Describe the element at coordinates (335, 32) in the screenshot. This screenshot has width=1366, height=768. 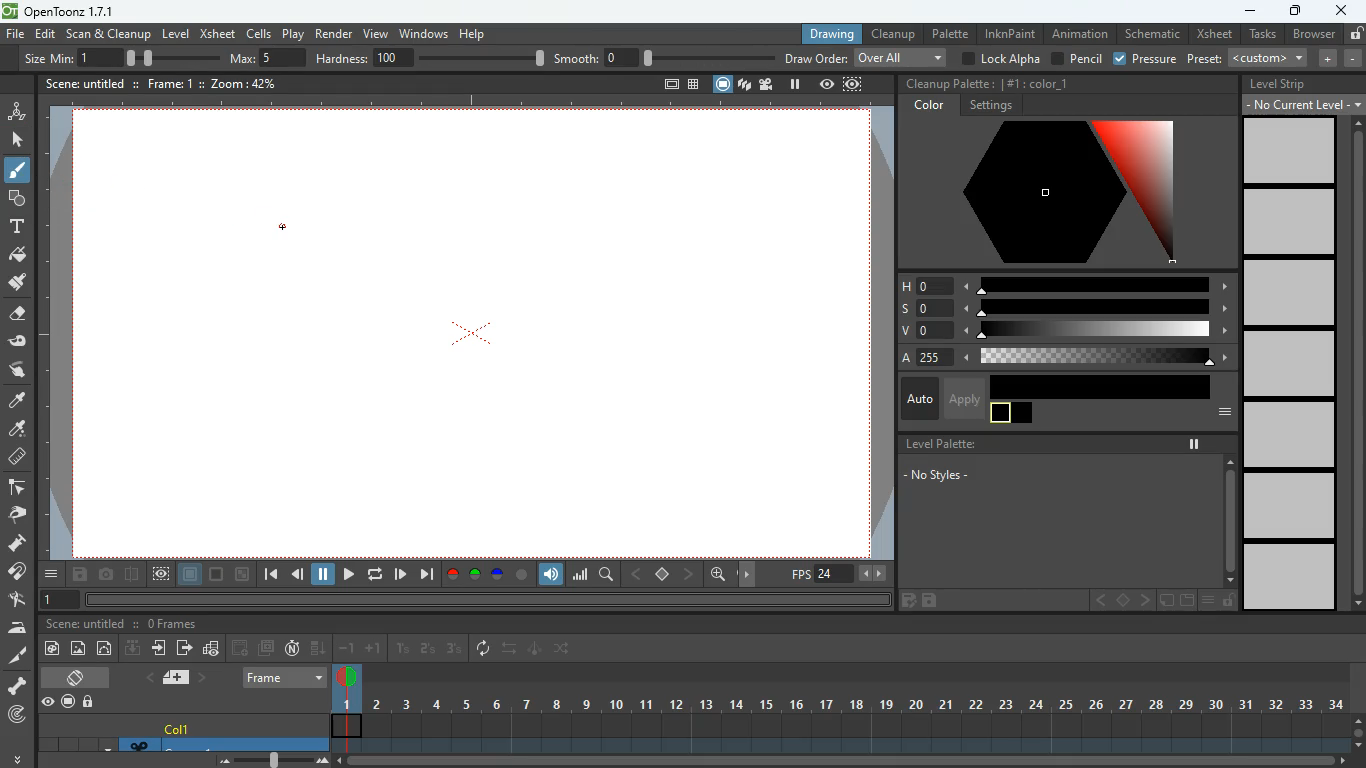
I see `render` at that location.